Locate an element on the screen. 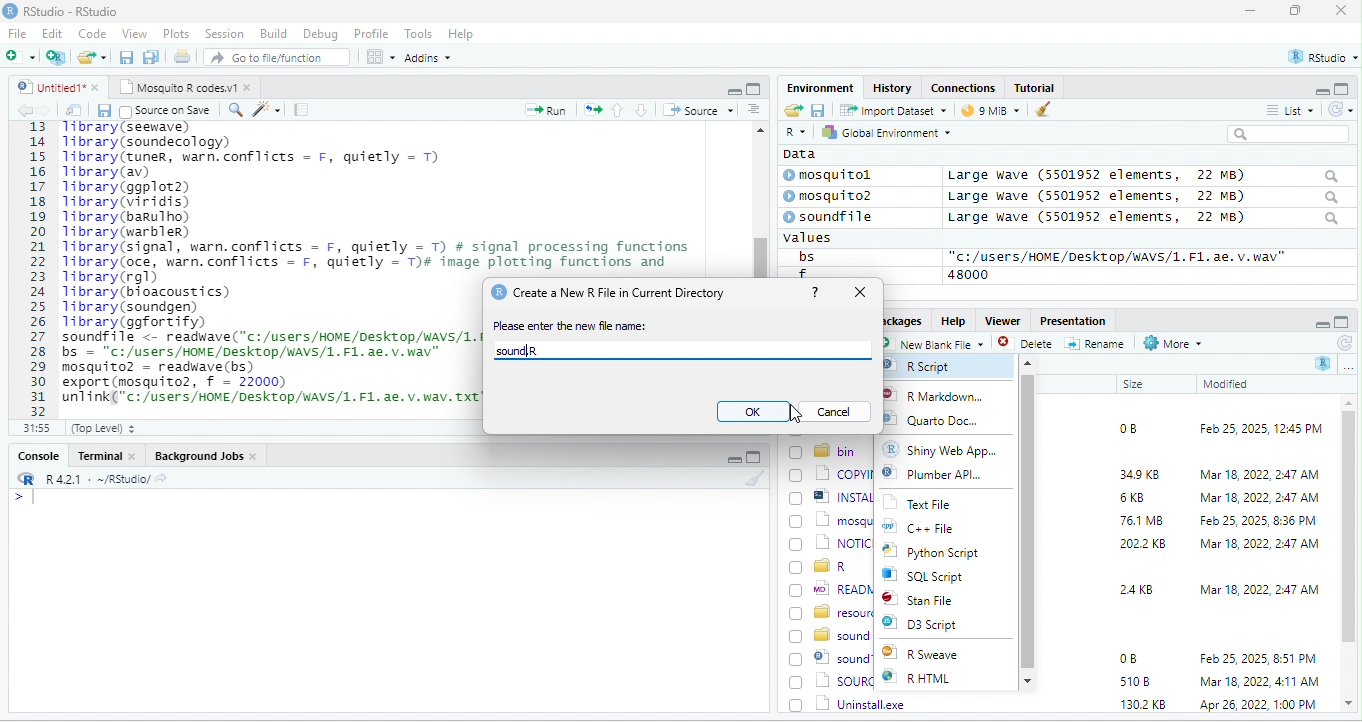 The image size is (1362, 722). Shiny Web App... is located at coordinates (951, 449).